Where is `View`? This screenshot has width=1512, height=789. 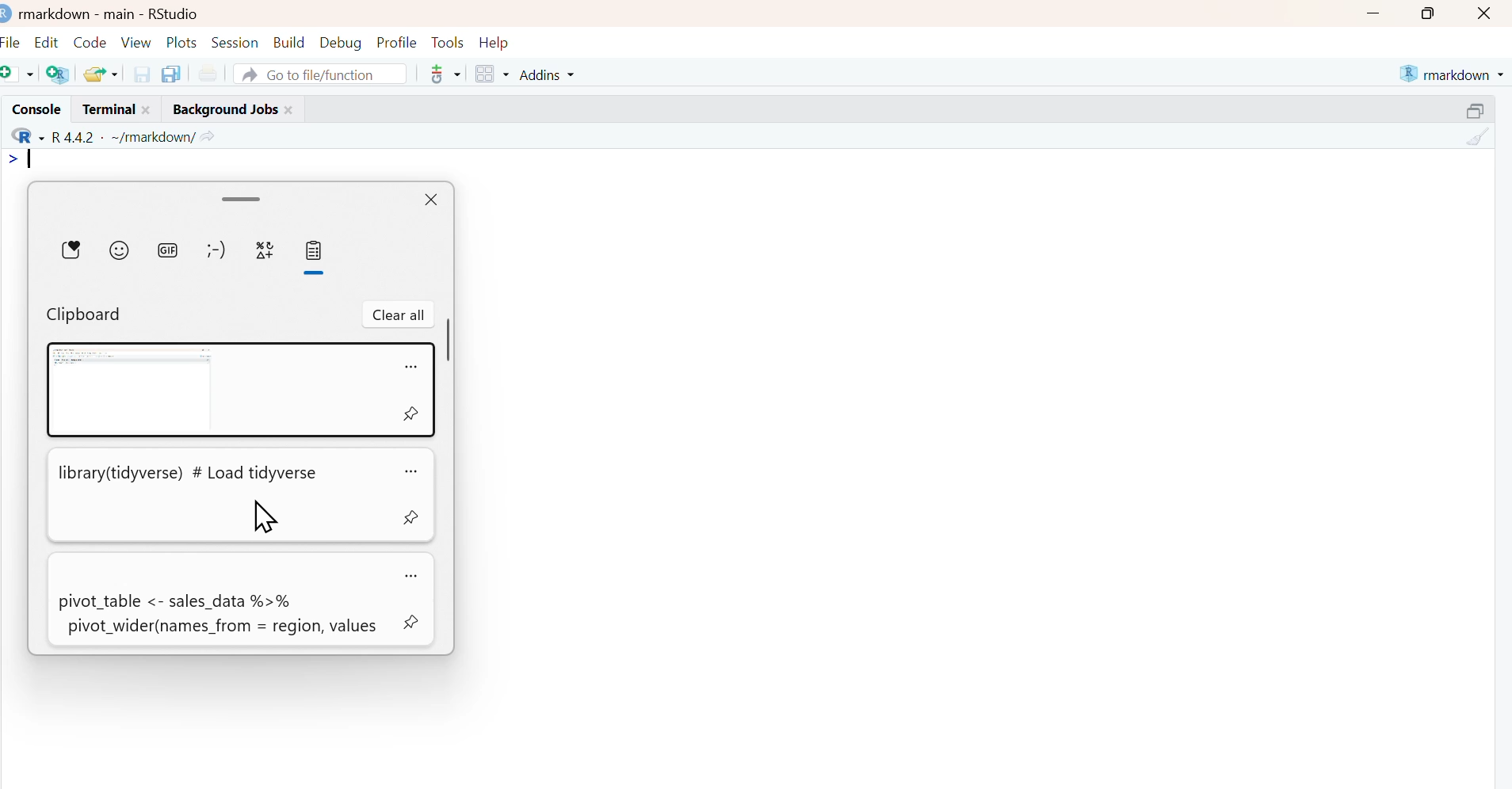
View is located at coordinates (138, 40).